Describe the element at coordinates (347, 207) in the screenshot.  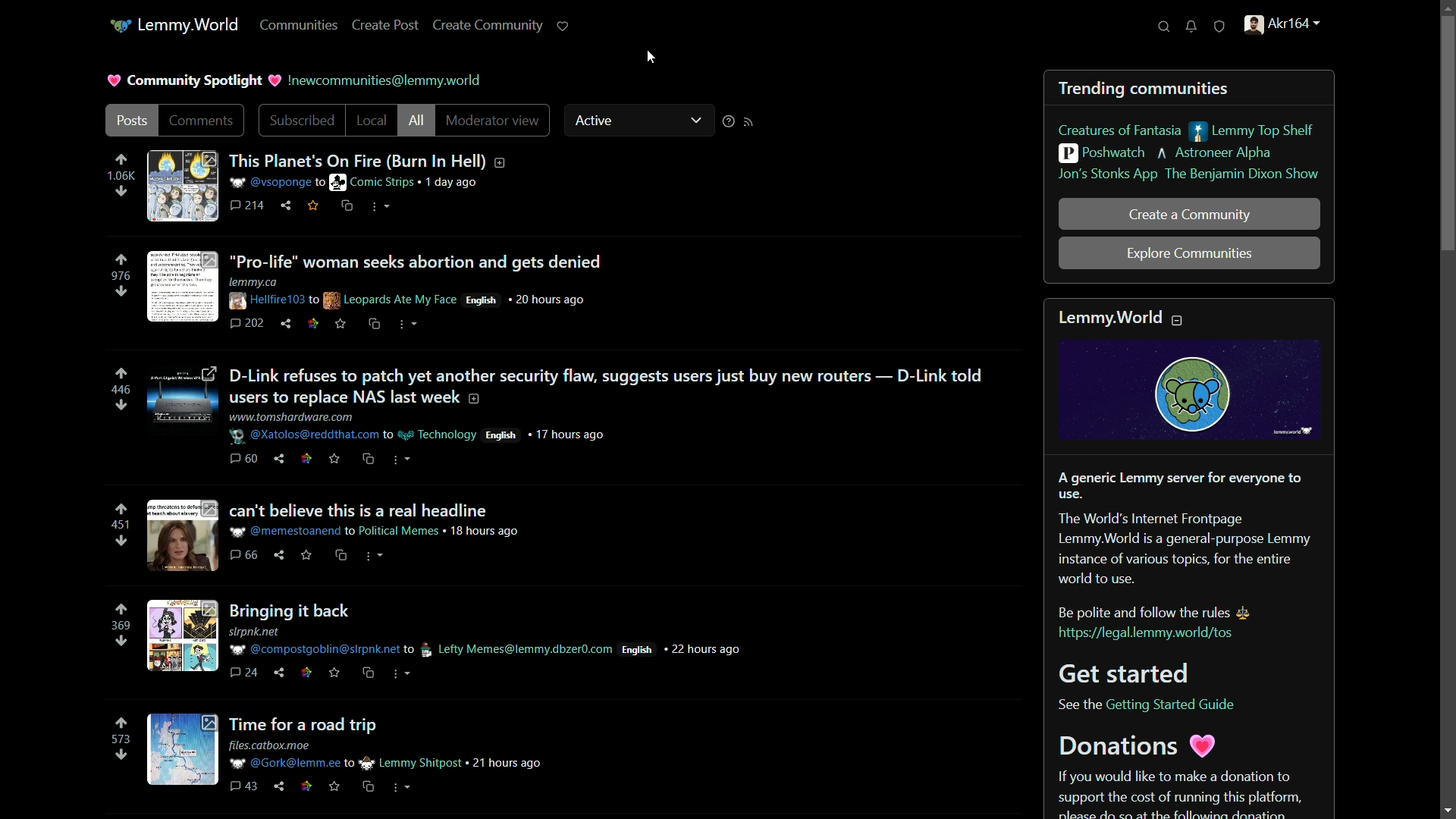
I see `copy` at that location.